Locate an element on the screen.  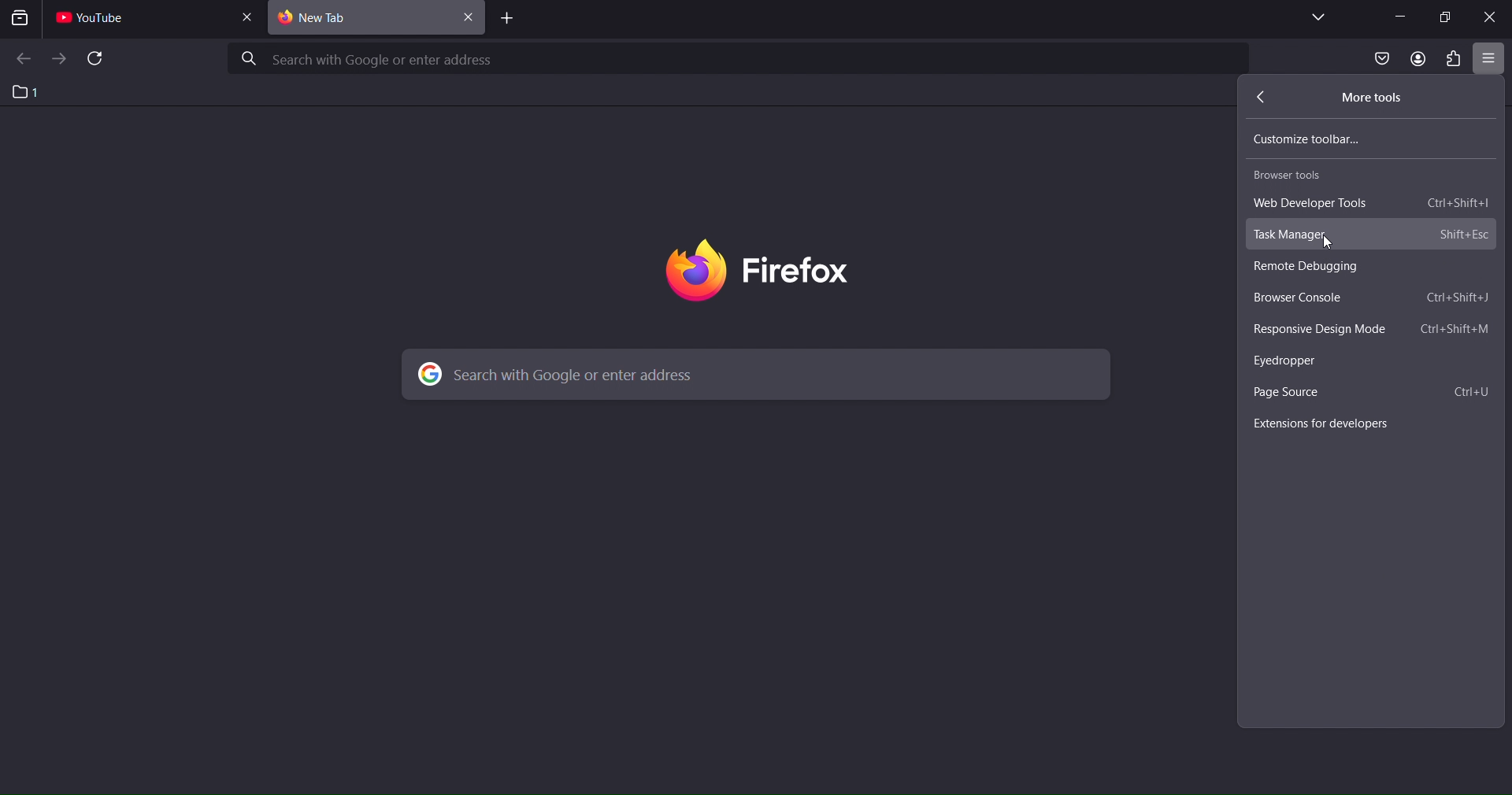
remote debugging is located at coordinates (1319, 268).